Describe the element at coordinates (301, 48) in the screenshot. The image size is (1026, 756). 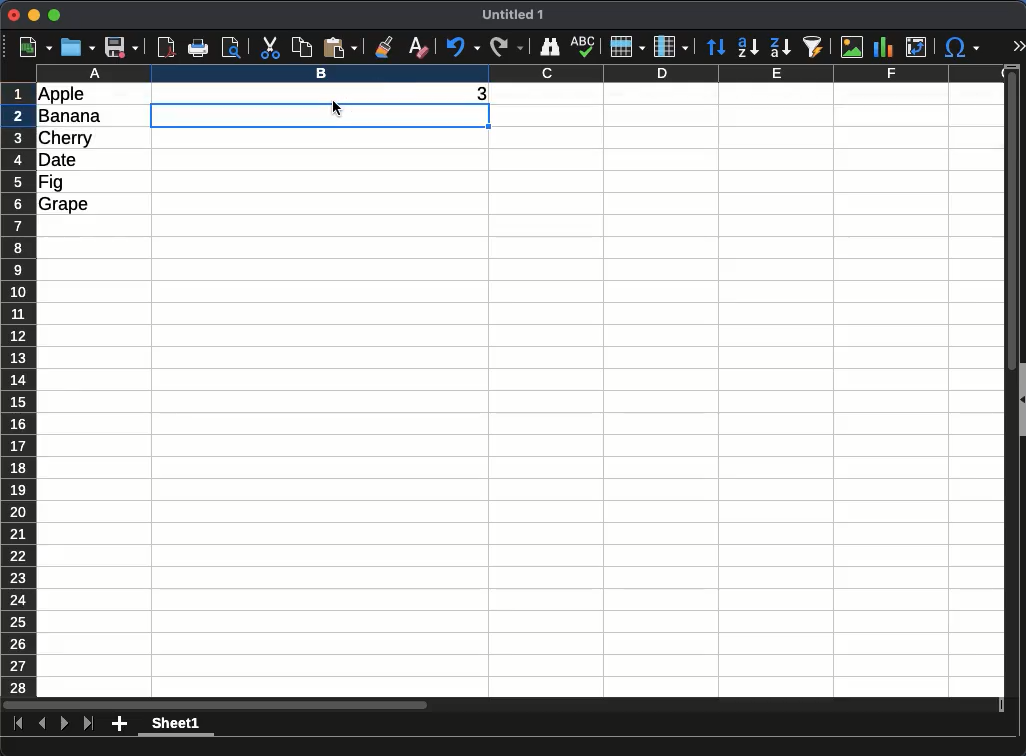
I see `copy` at that location.